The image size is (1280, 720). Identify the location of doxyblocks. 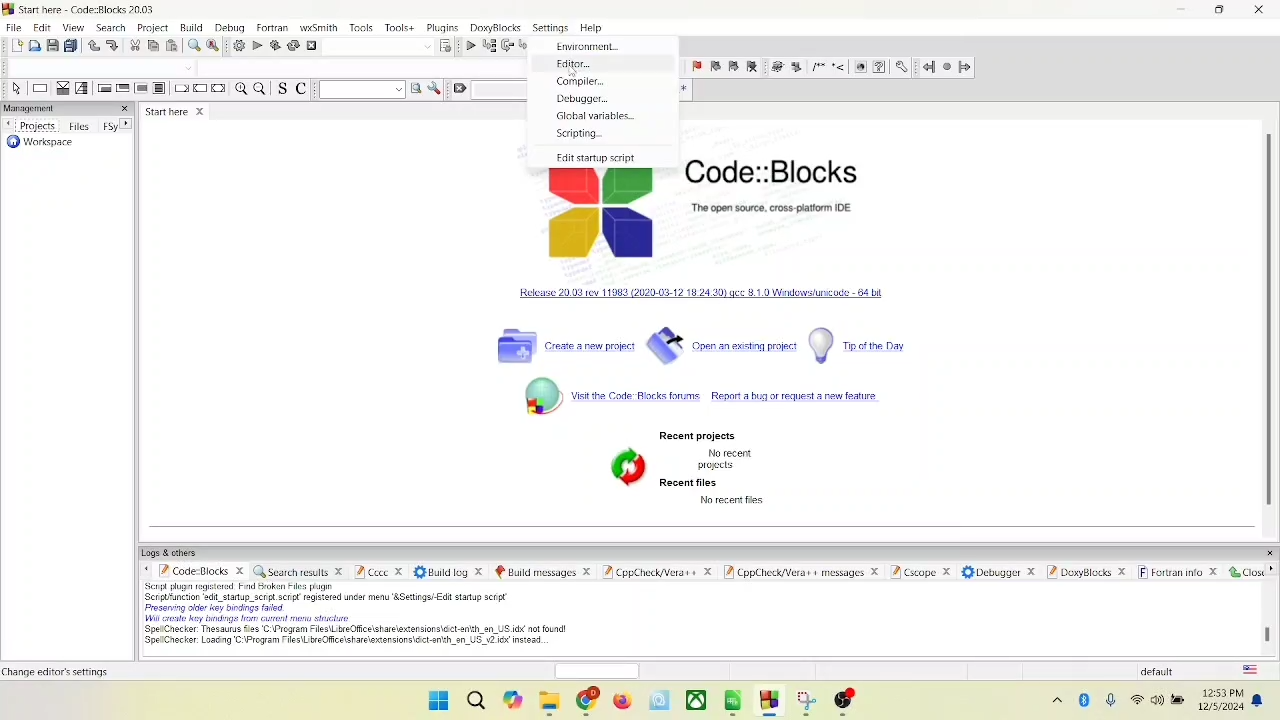
(496, 28).